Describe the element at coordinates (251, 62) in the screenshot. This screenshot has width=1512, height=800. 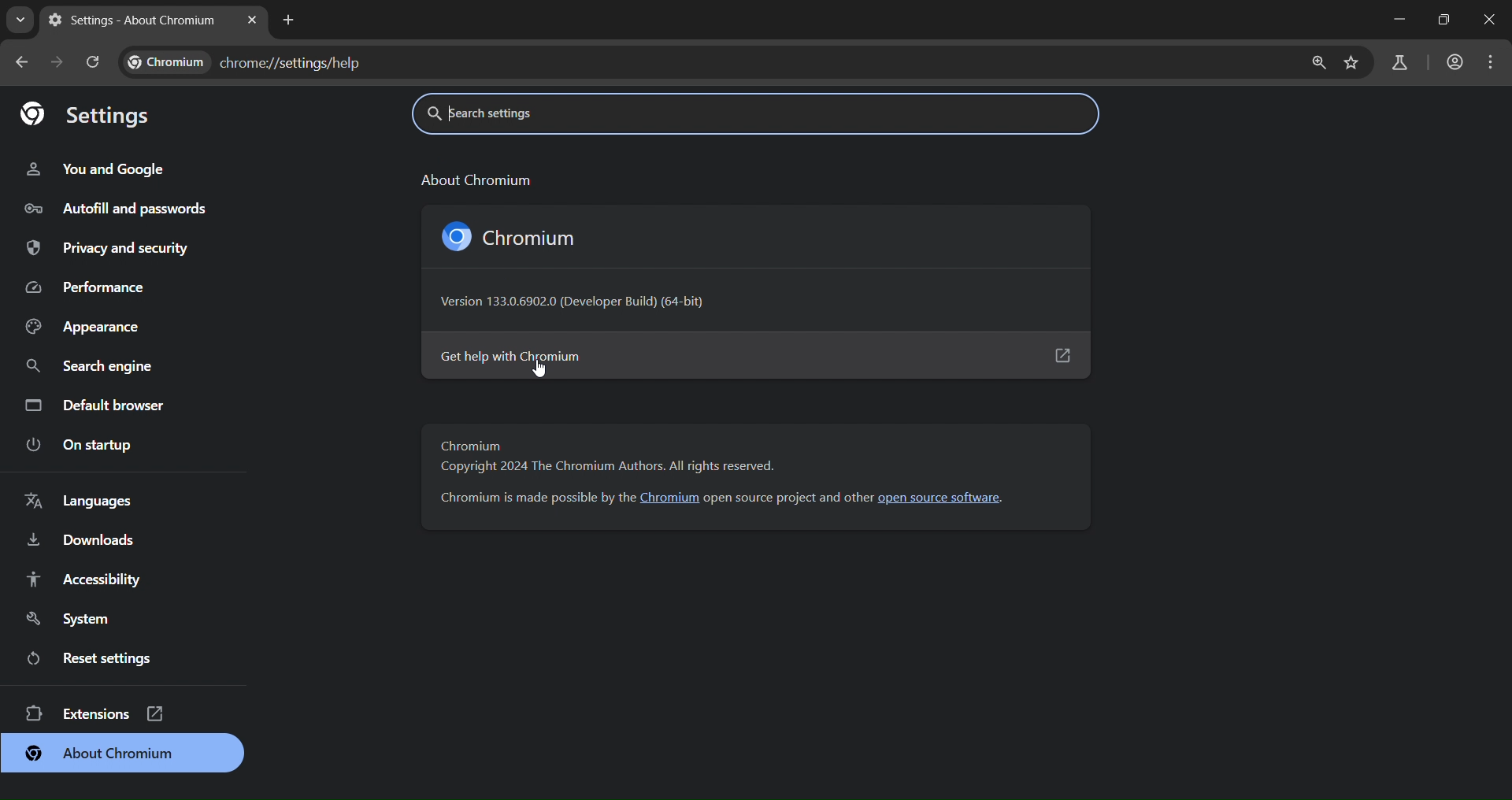
I see `chrome://settings/help` at that location.